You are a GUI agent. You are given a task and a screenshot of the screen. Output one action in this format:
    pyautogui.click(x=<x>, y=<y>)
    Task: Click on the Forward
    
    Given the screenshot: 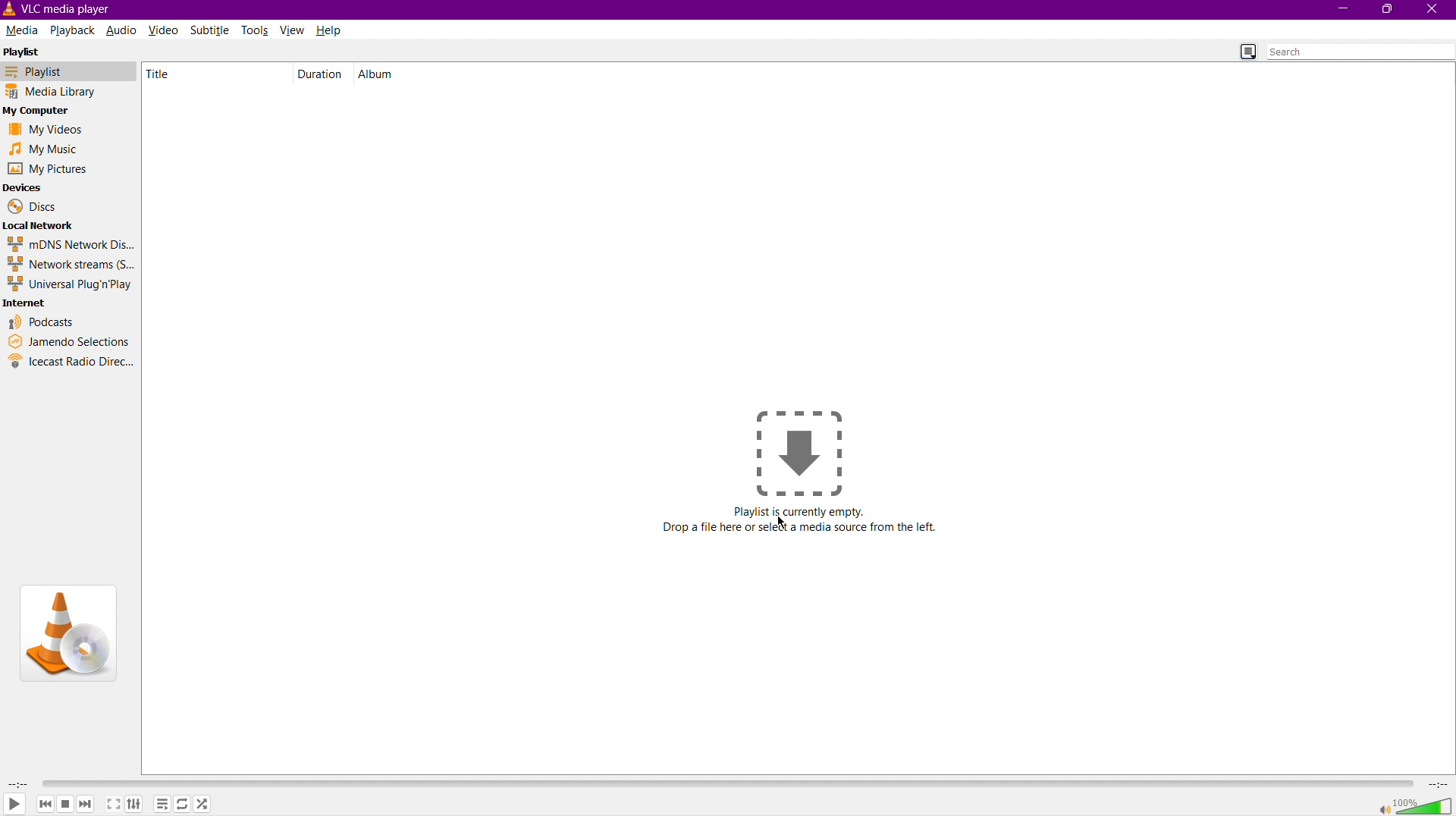 What is the action you would take?
    pyautogui.click(x=87, y=803)
    